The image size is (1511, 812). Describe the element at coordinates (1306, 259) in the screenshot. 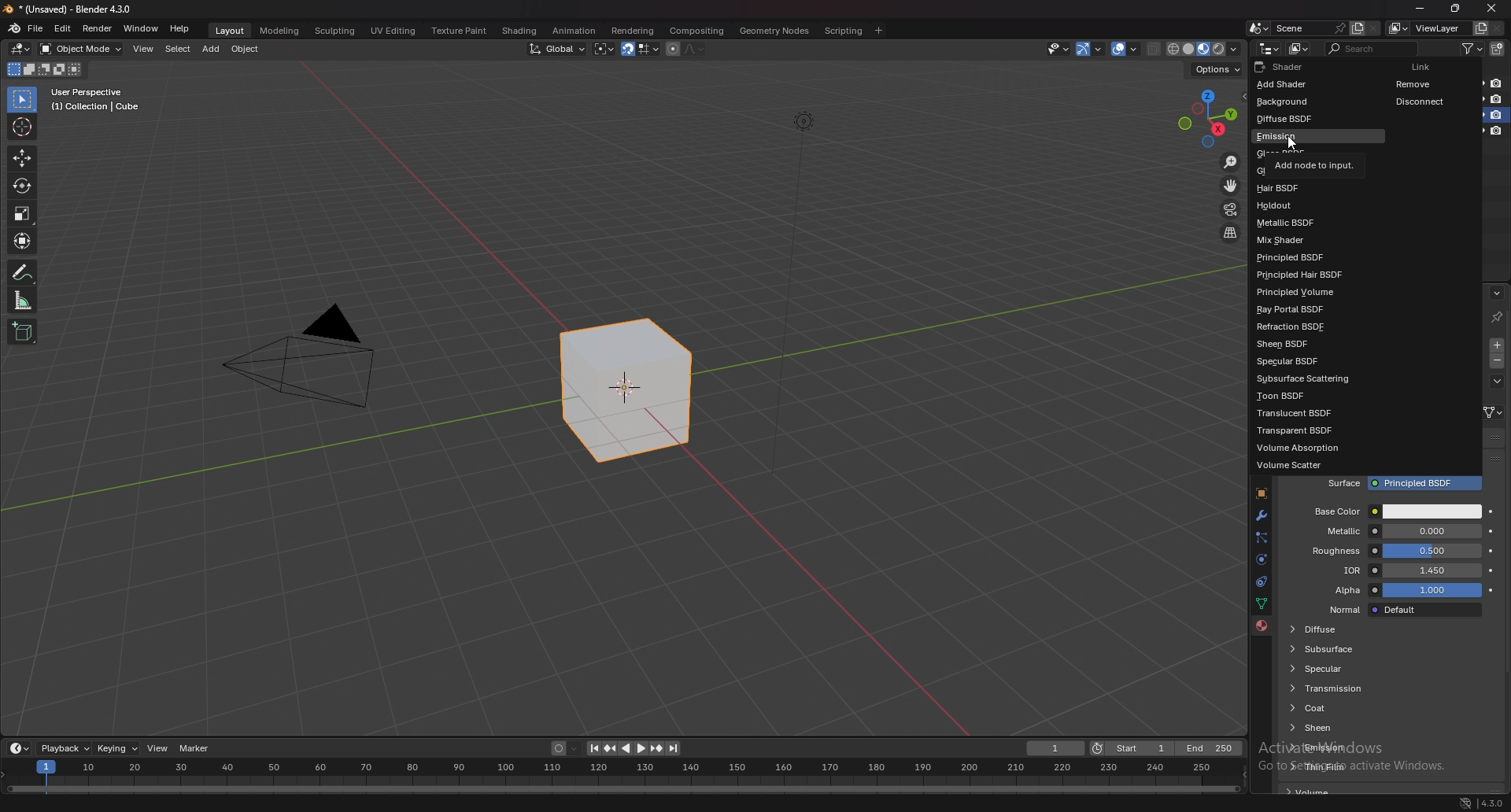

I see `principled bsdf` at that location.